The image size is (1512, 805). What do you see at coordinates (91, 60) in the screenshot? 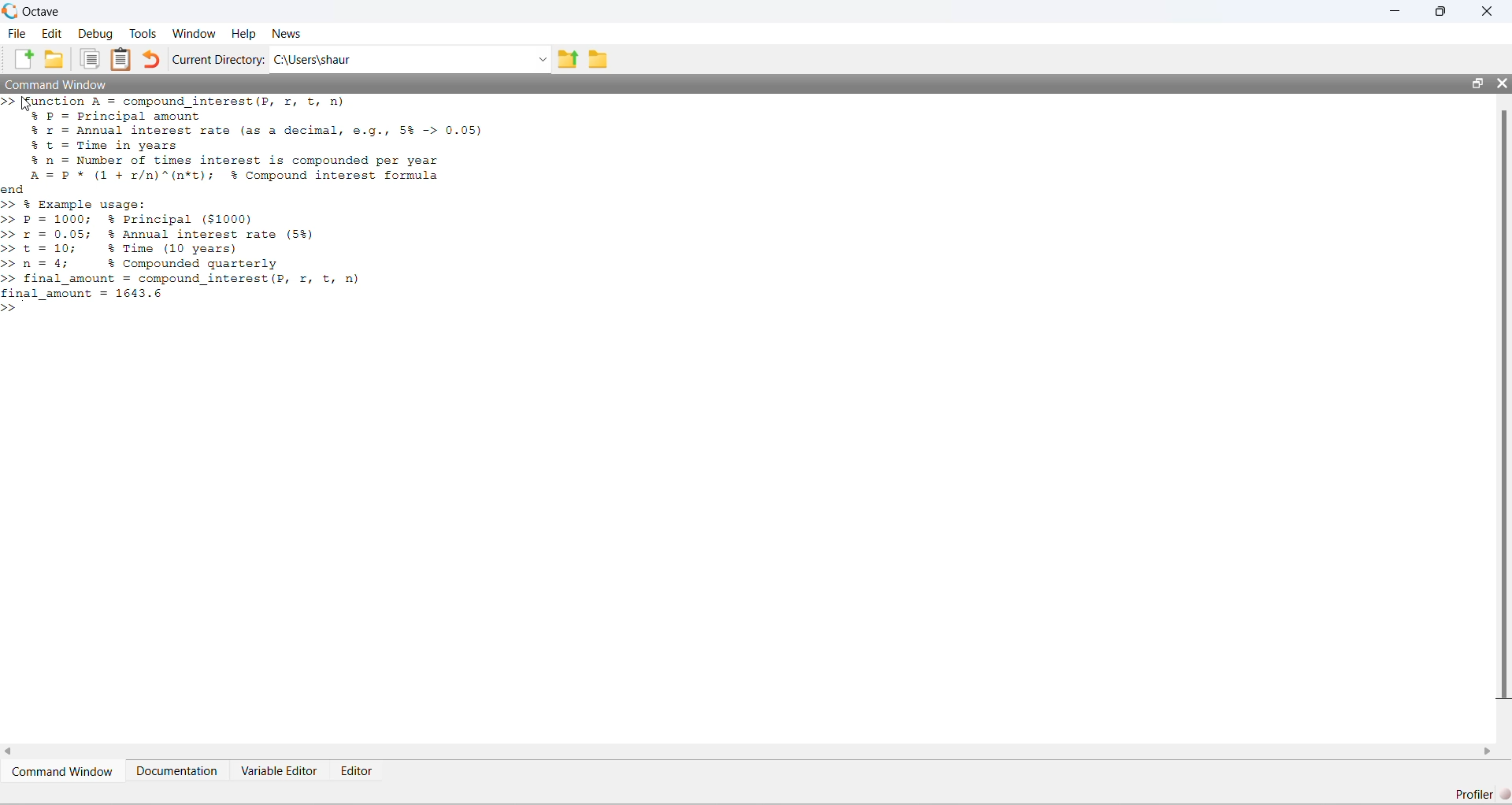
I see `Duplicate` at bounding box center [91, 60].